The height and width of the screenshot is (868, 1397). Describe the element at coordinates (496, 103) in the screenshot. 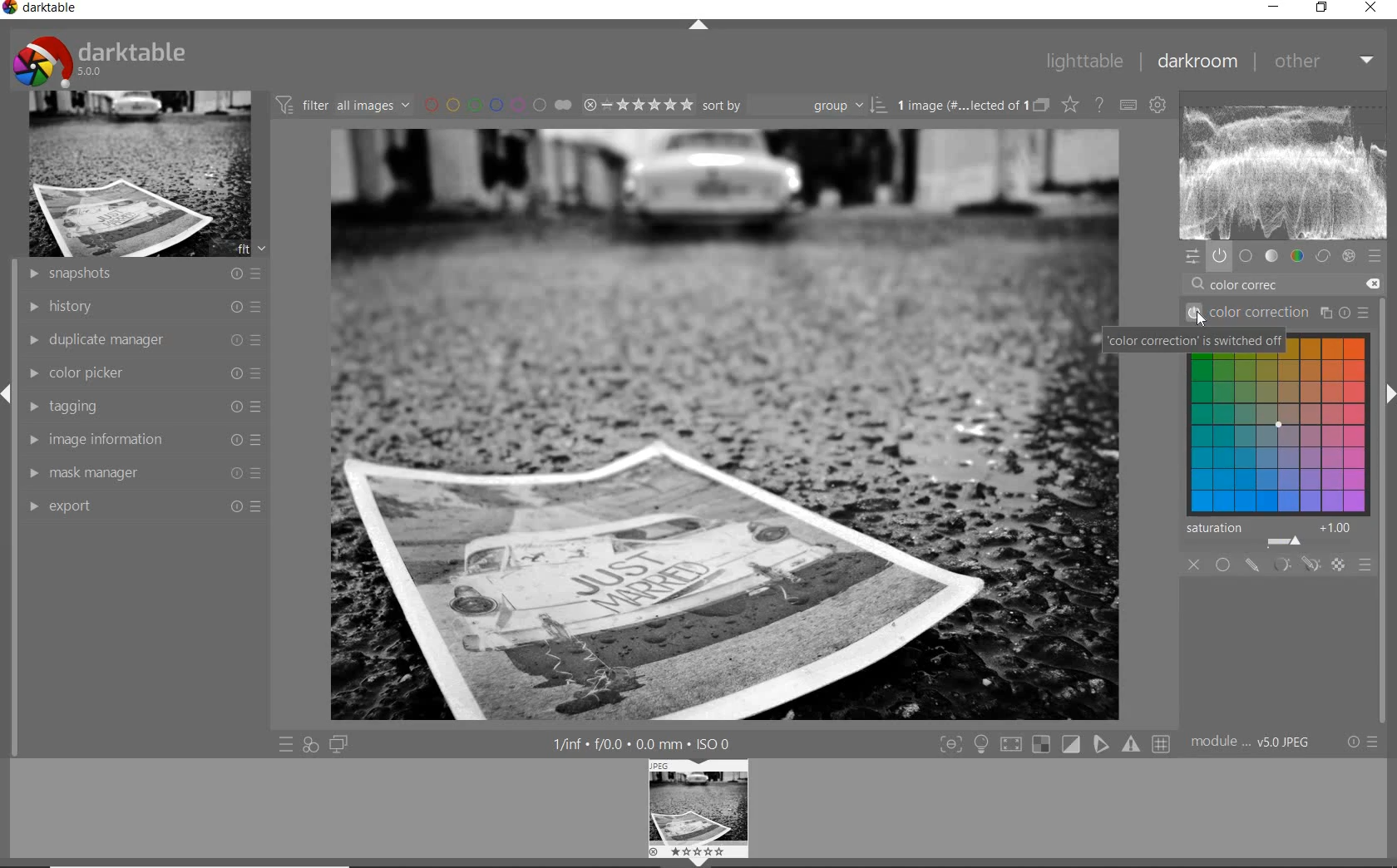

I see `filter by image color lebel` at that location.